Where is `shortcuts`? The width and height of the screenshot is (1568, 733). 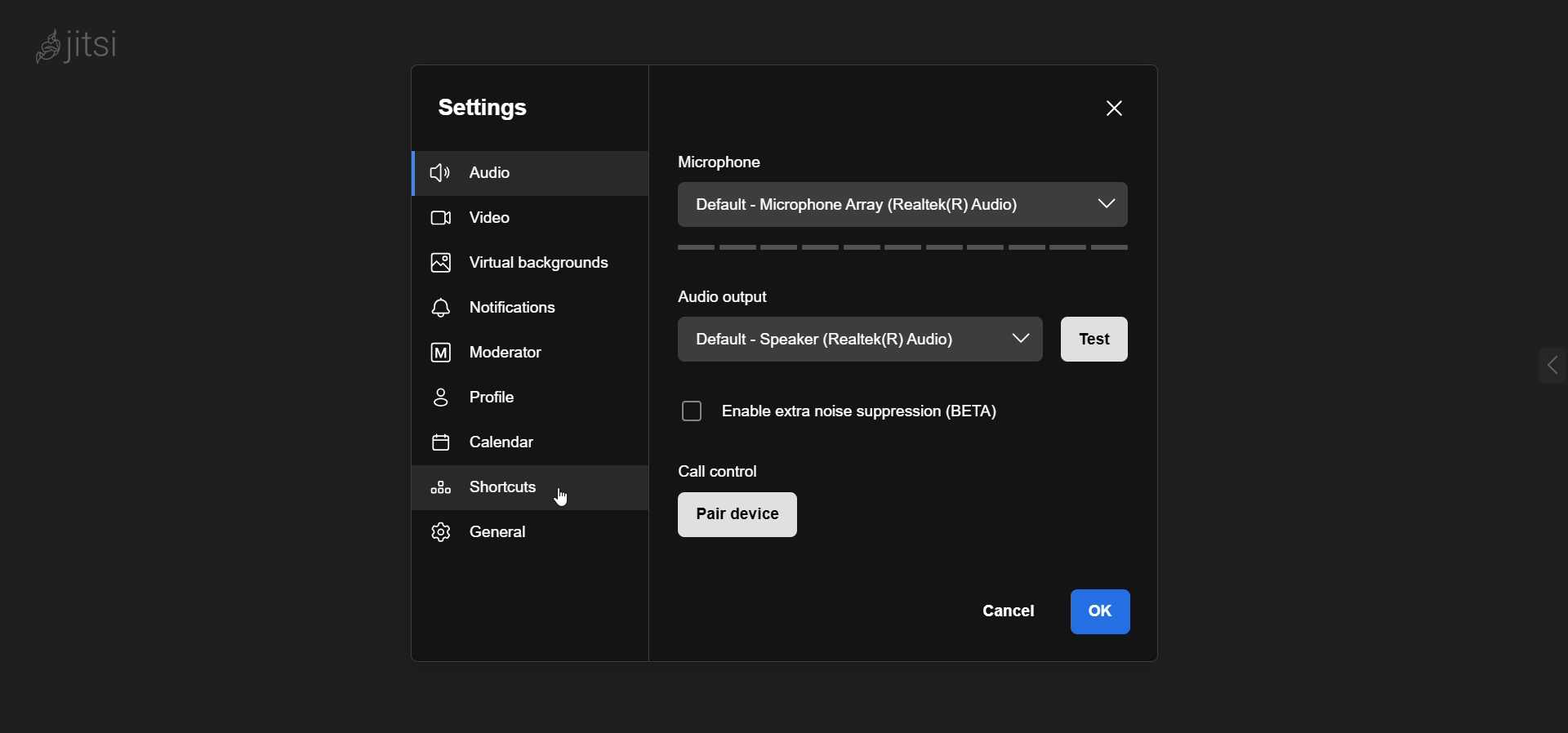 shortcuts is located at coordinates (501, 487).